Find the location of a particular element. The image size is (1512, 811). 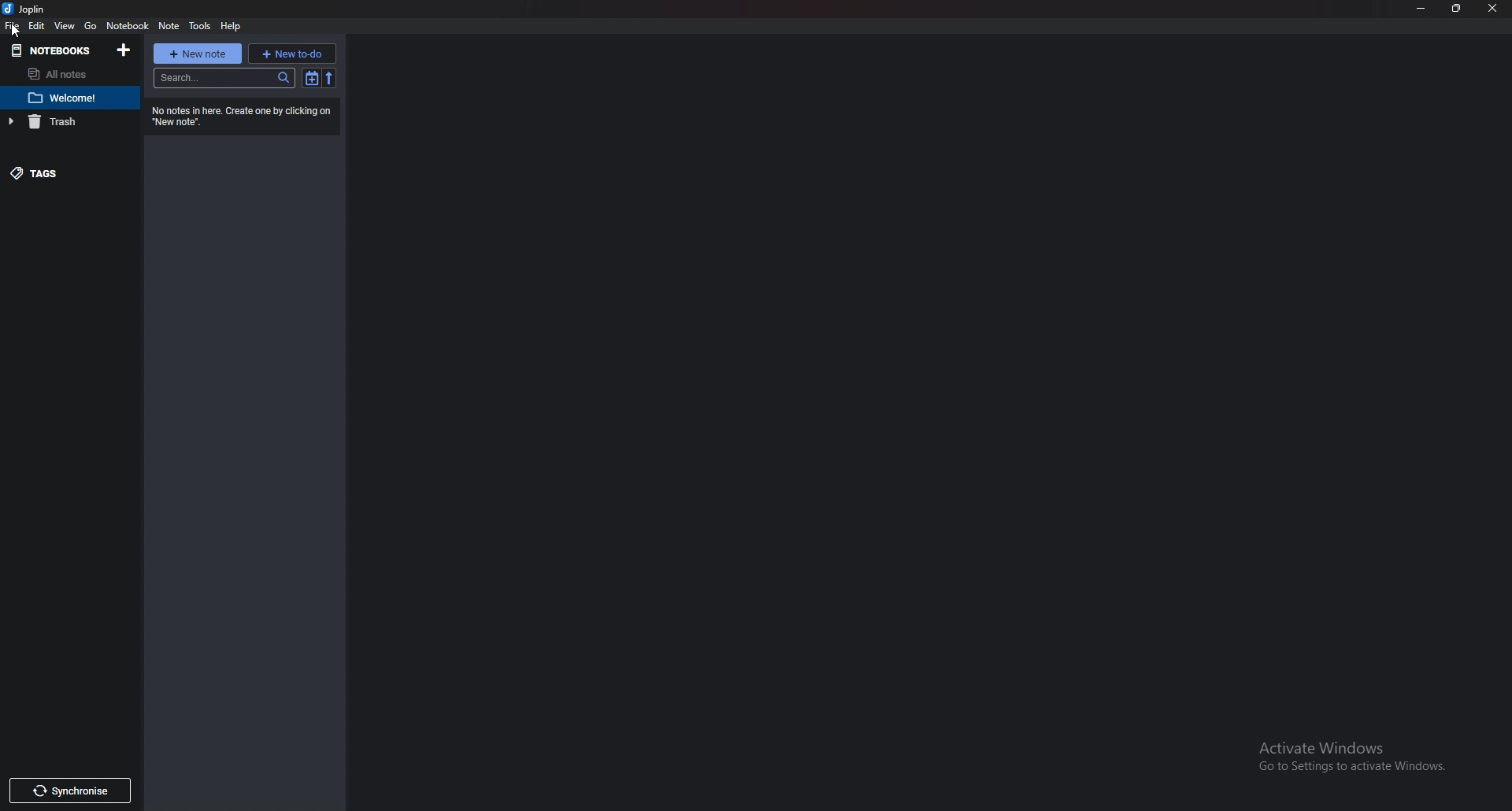

Notebook is located at coordinates (128, 26).